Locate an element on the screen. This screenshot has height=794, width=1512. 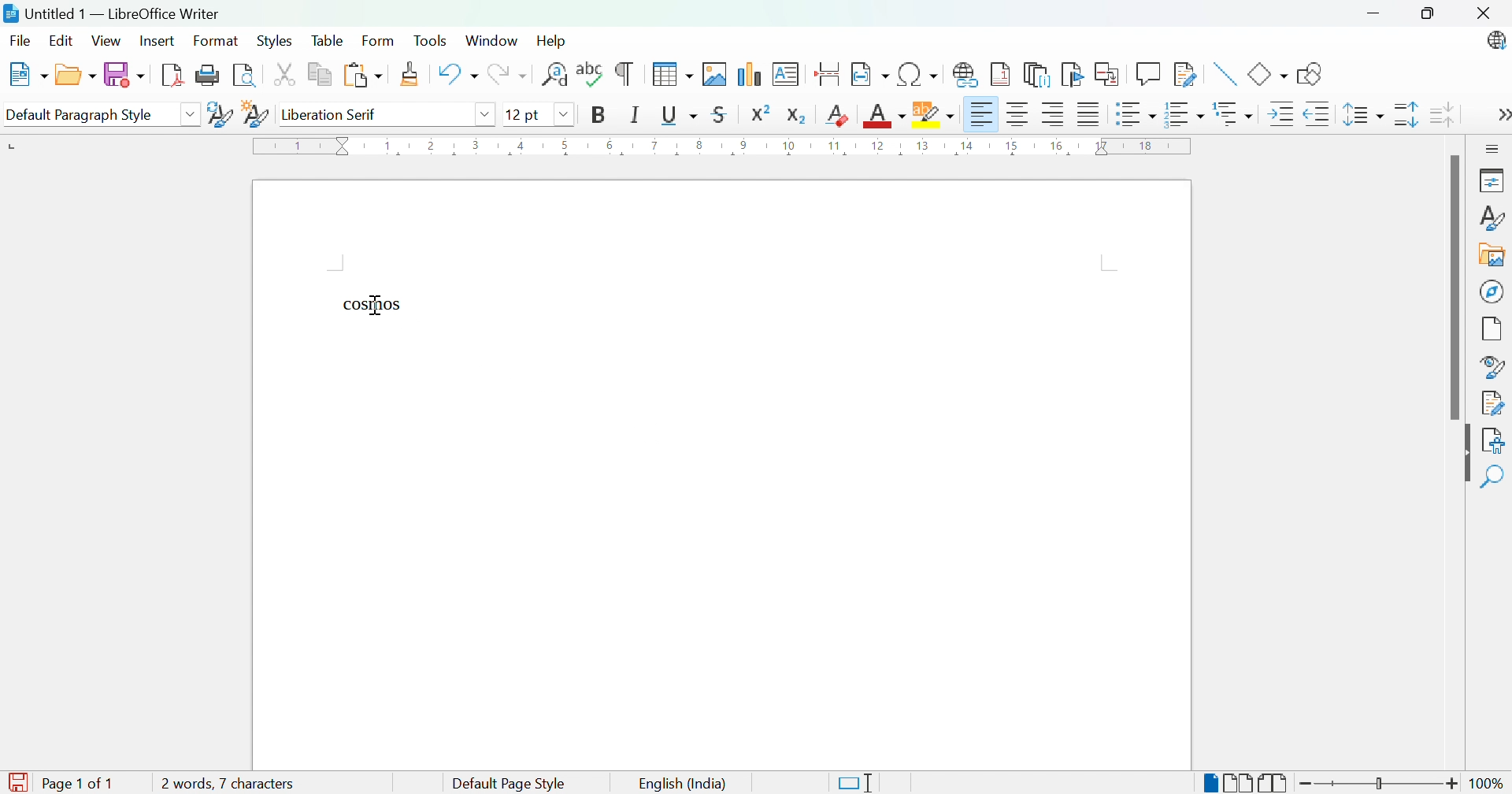
Basic shapes is located at coordinates (1269, 74).